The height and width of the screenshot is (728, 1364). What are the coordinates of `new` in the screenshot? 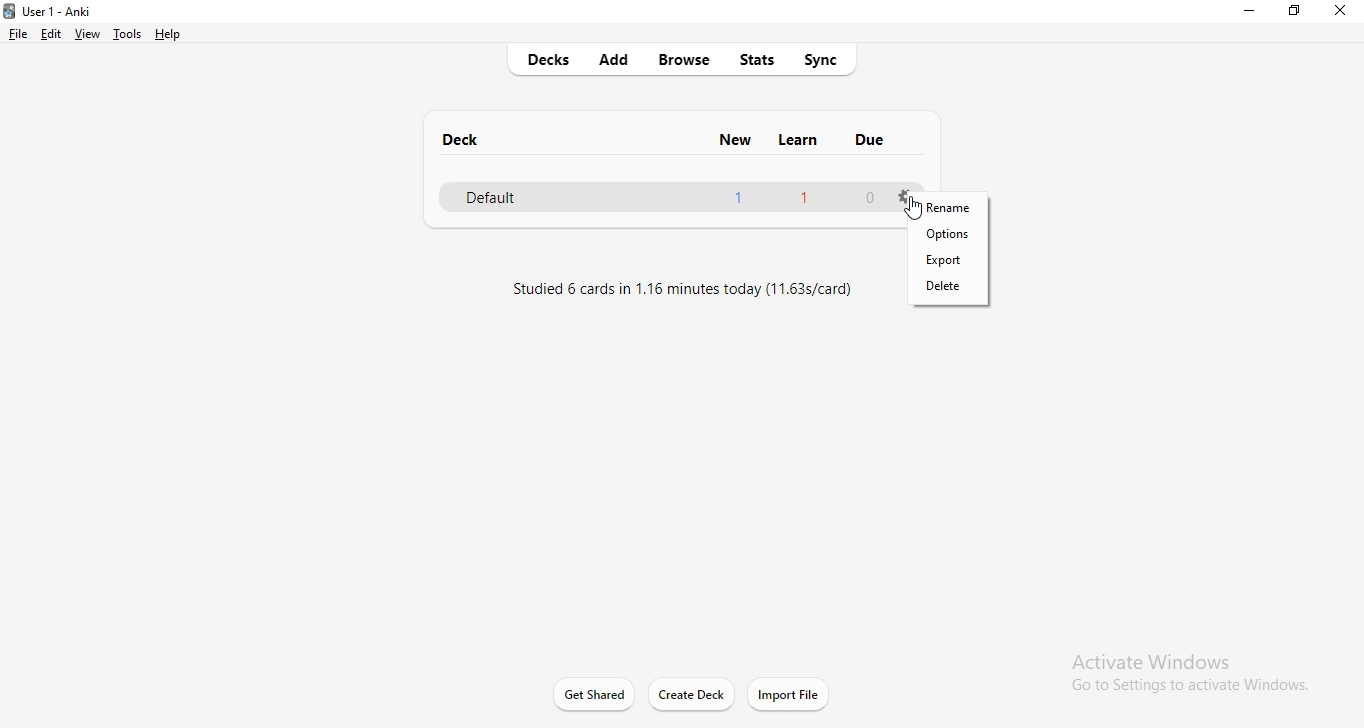 It's located at (739, 143).